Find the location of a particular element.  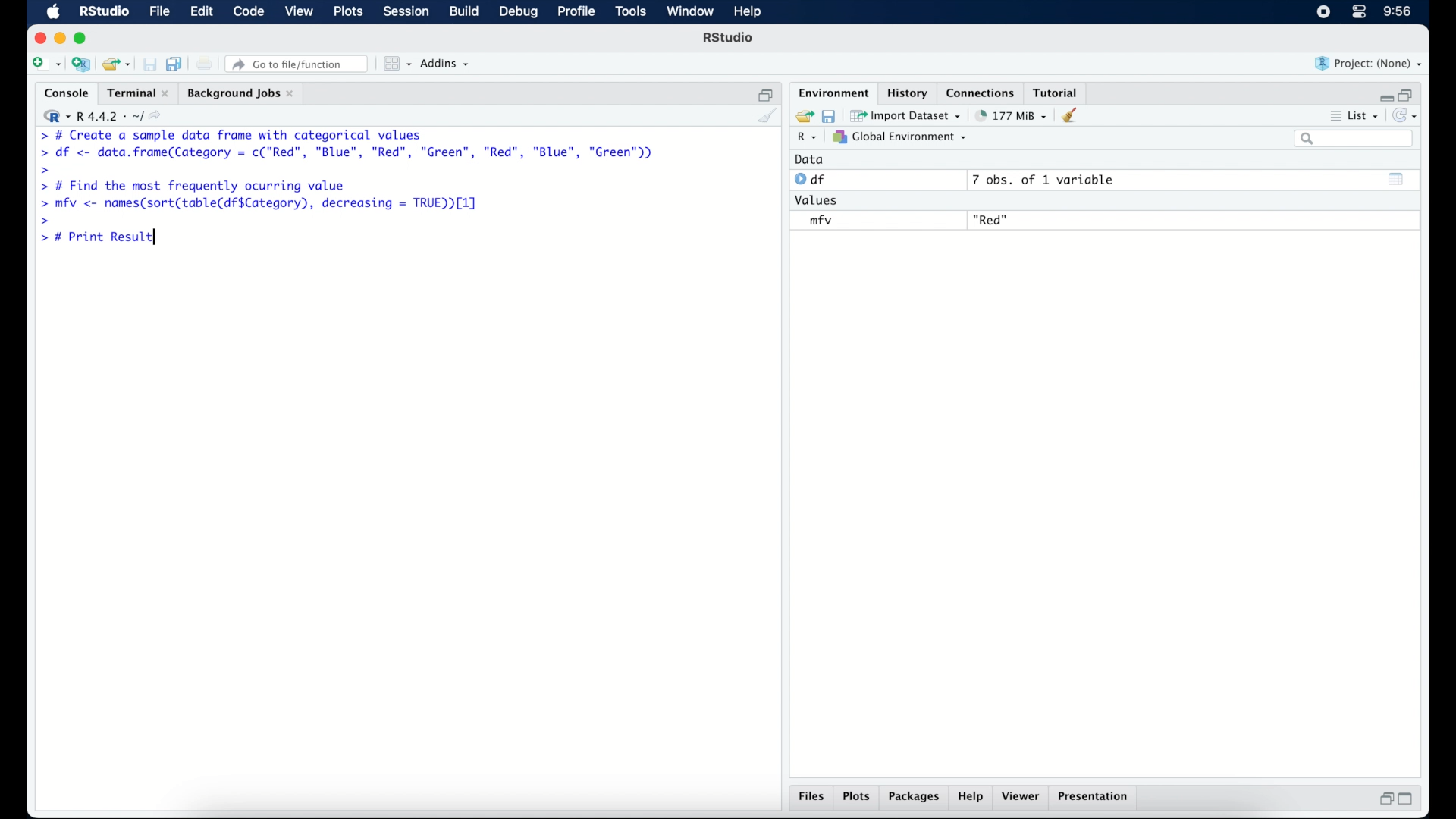

df is located at coordinates (811, 180).